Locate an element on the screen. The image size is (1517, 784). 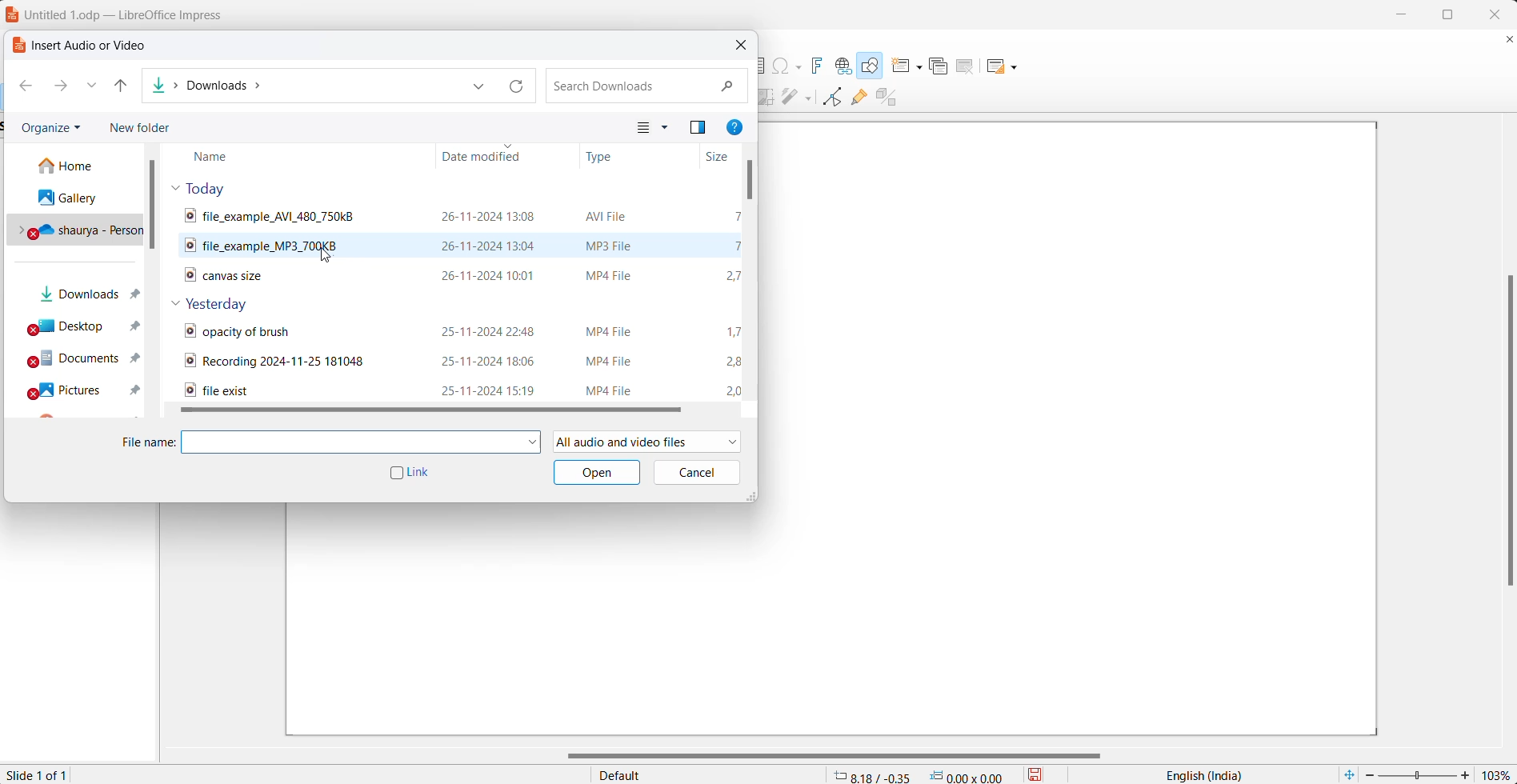
decrease zoom is located at coordinates (1367, 775).